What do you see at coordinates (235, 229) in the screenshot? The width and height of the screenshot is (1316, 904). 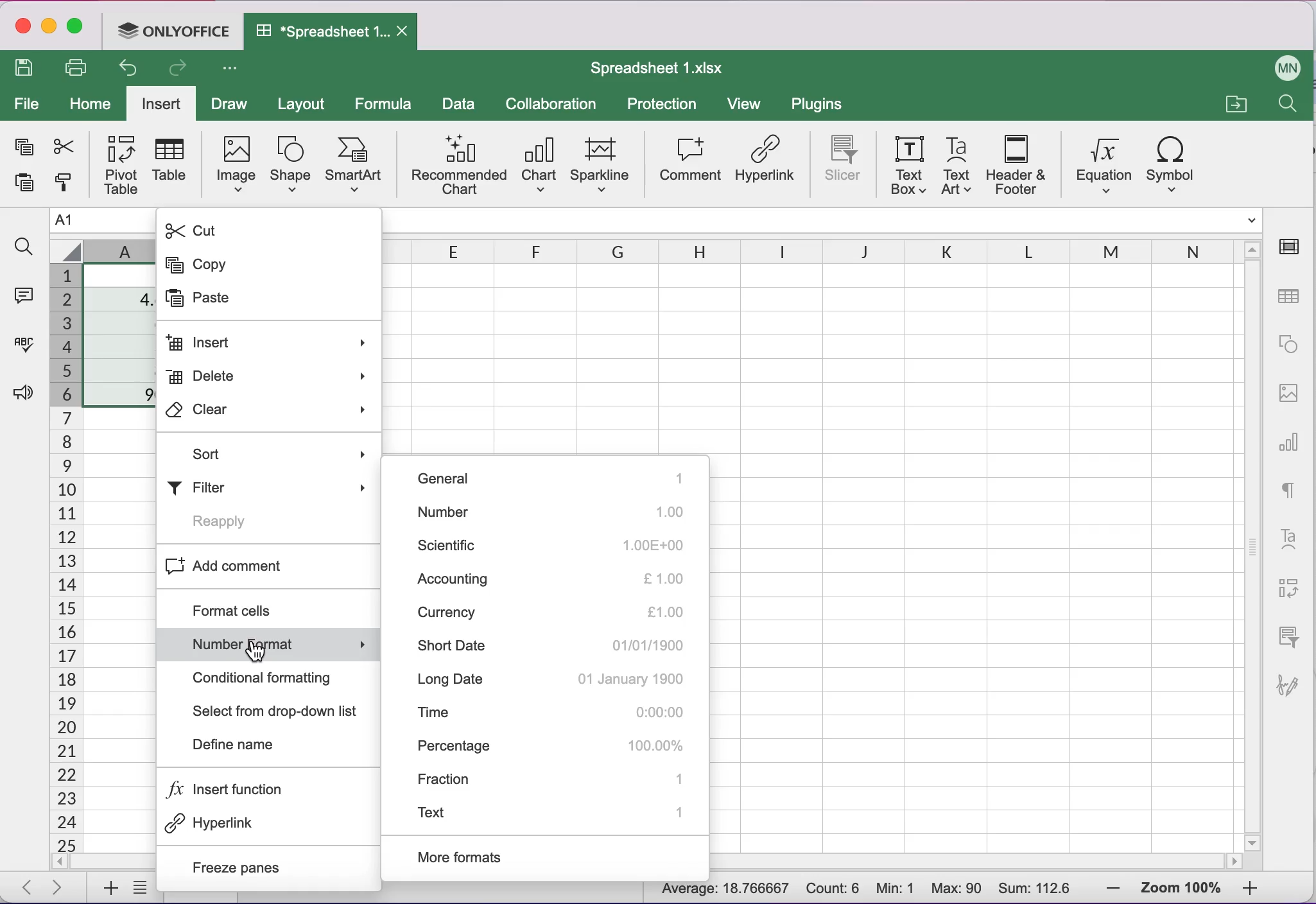 I see `Cut` at bounding box center [235, 229].